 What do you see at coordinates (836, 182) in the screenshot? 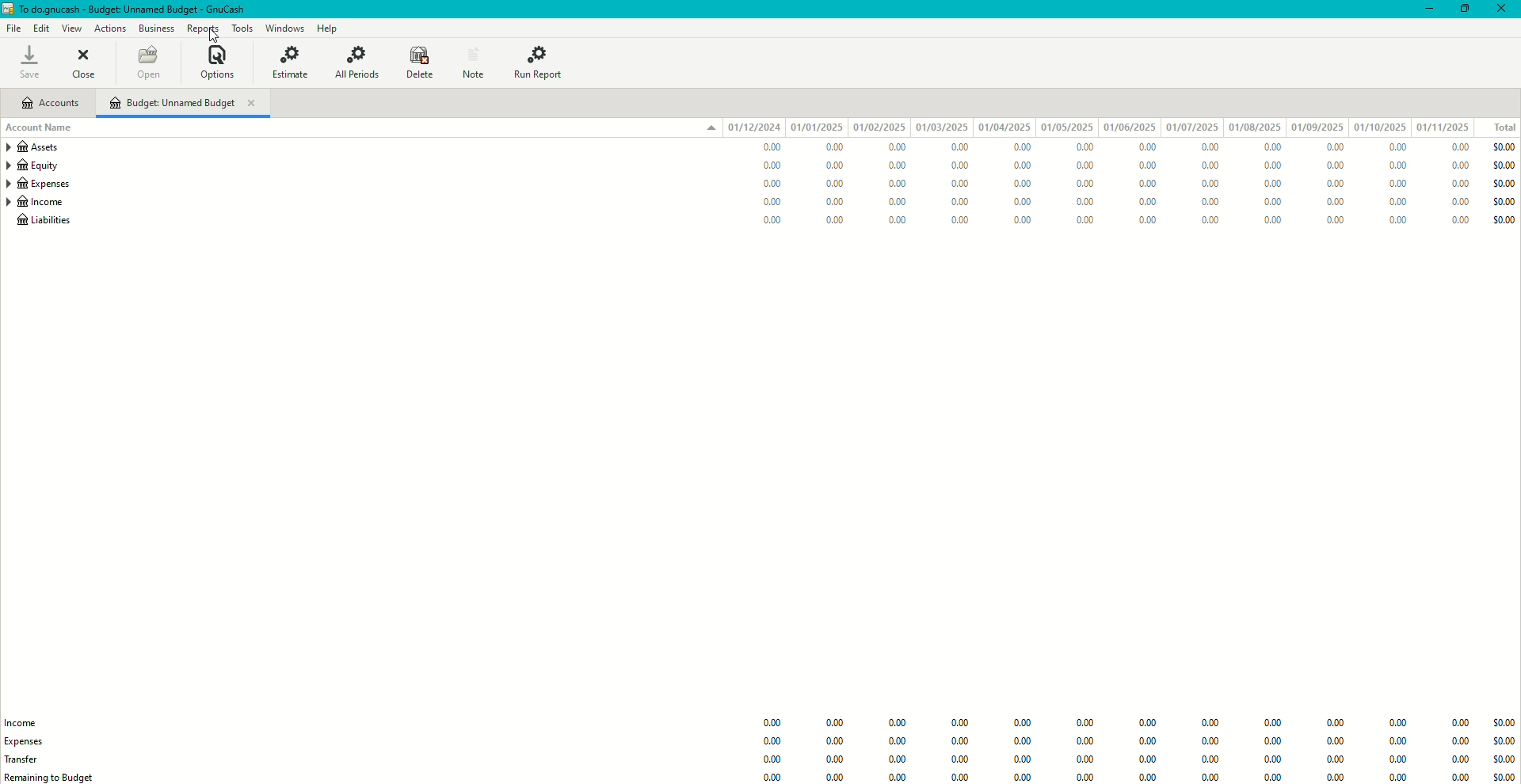
I see `0.00` at bounding box center [836, 182].